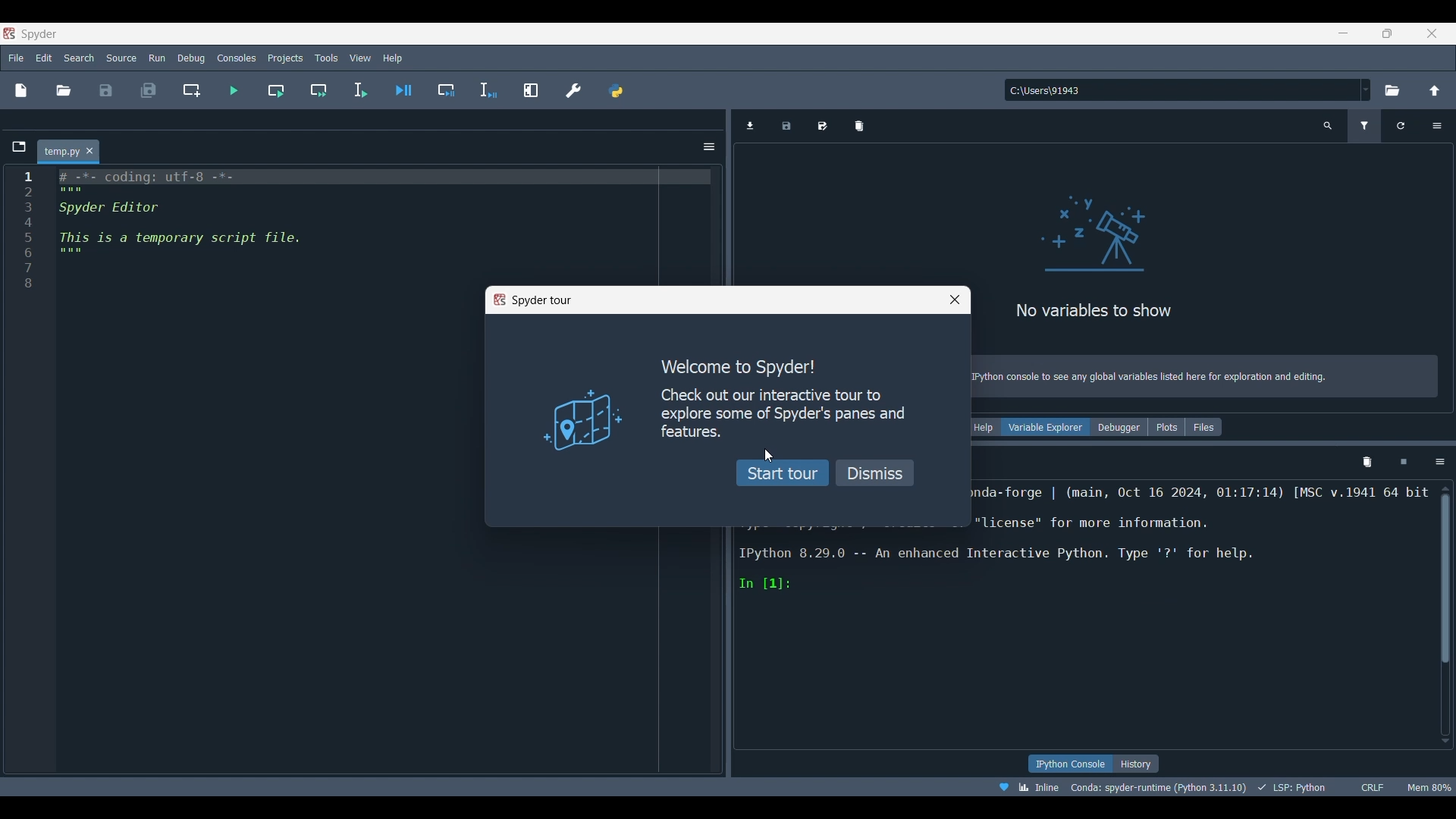 Image resolution: width=1456 pixels, height=819 pixels. What do you see at coordinates (393, 58) in the screenshot?
I see `Help menu` at bounding box center [393, 58].